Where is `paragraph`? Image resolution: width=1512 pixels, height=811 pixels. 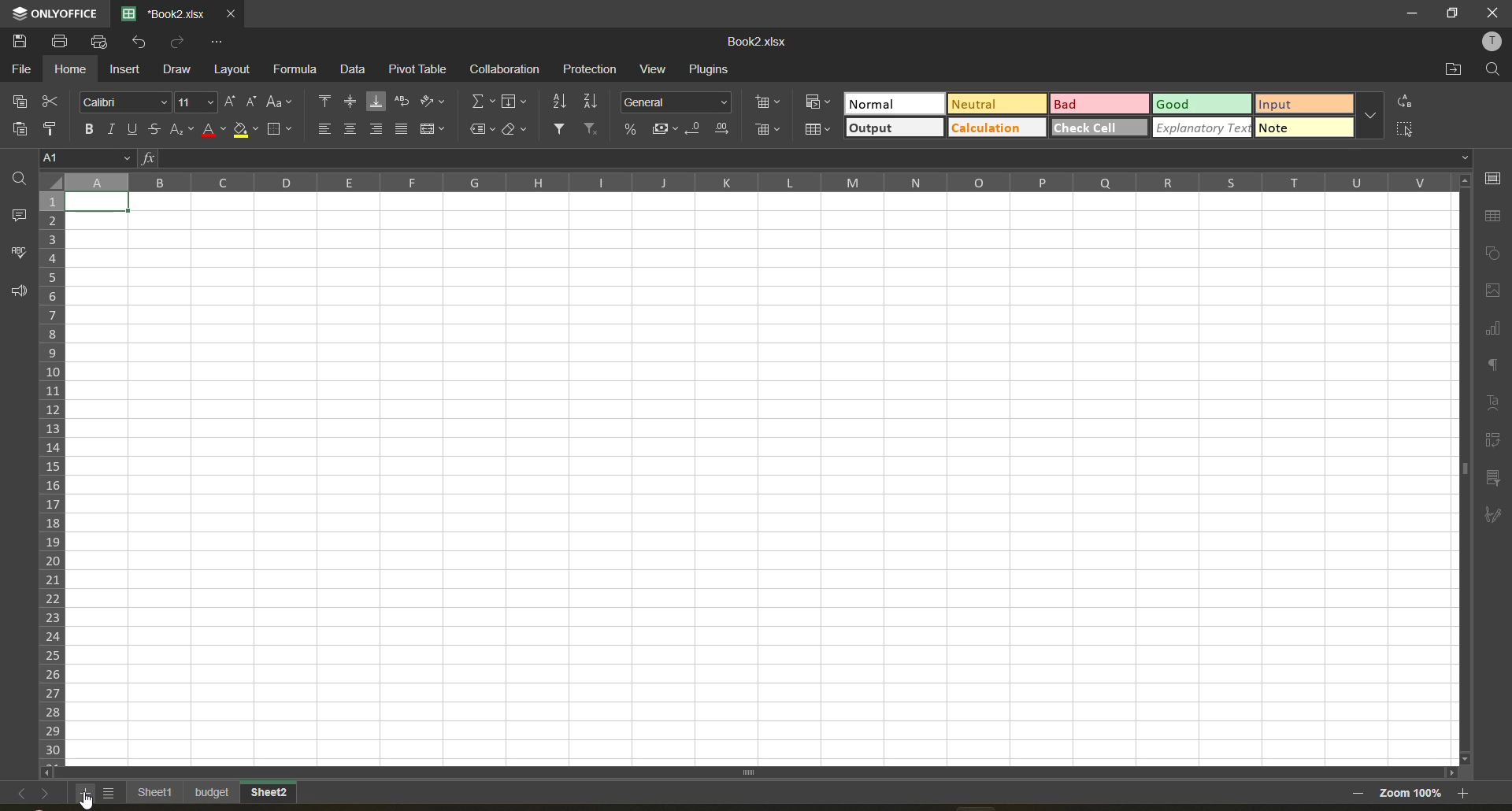 paragraph is located at coordinates (1494, 369).